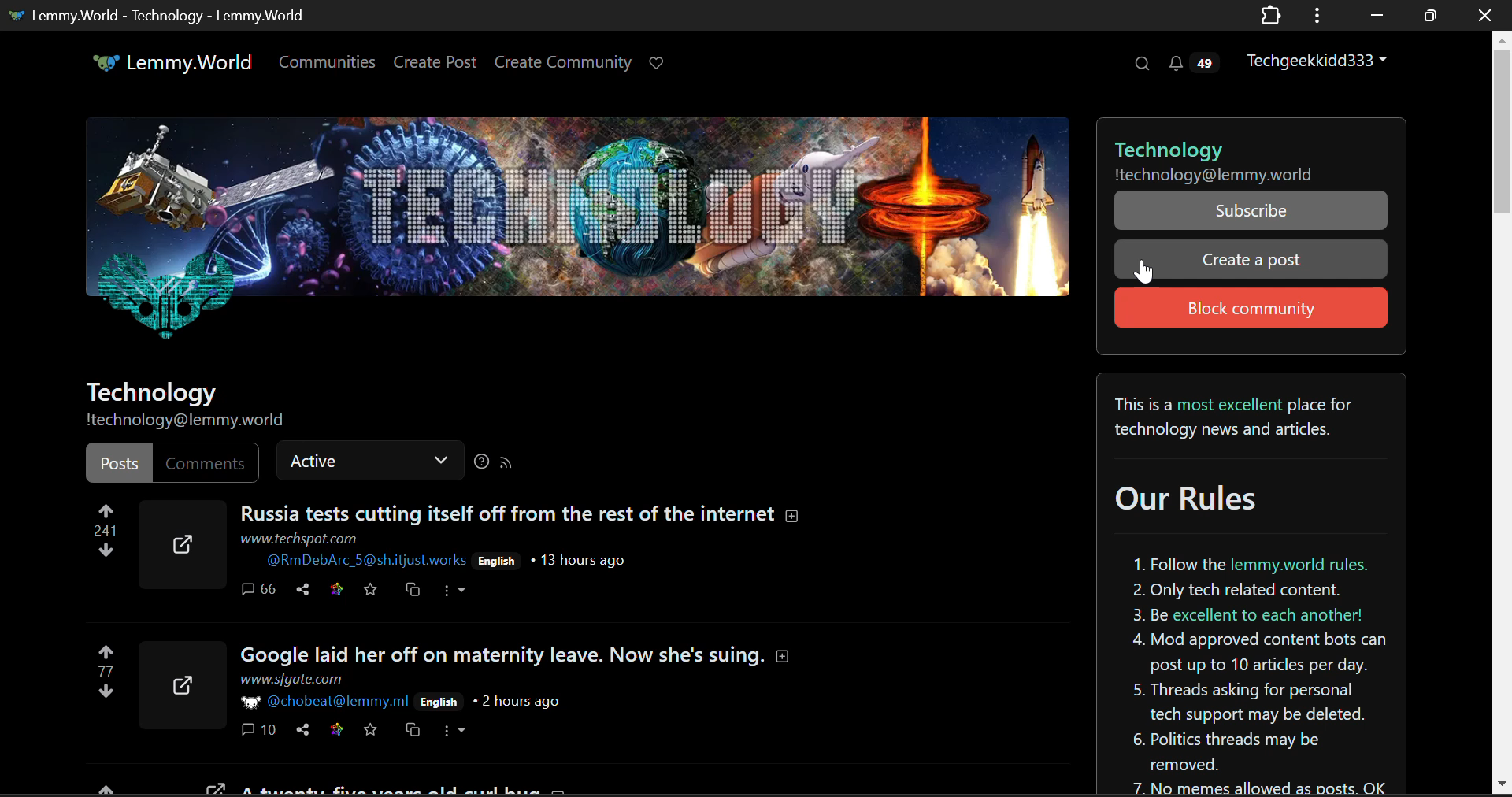 The height and width of the screenshot is (797, 1512). What do you see at coordinates (180, 545) in the screenshot?
I see `Post Icon` at bounding box center [180, 545].